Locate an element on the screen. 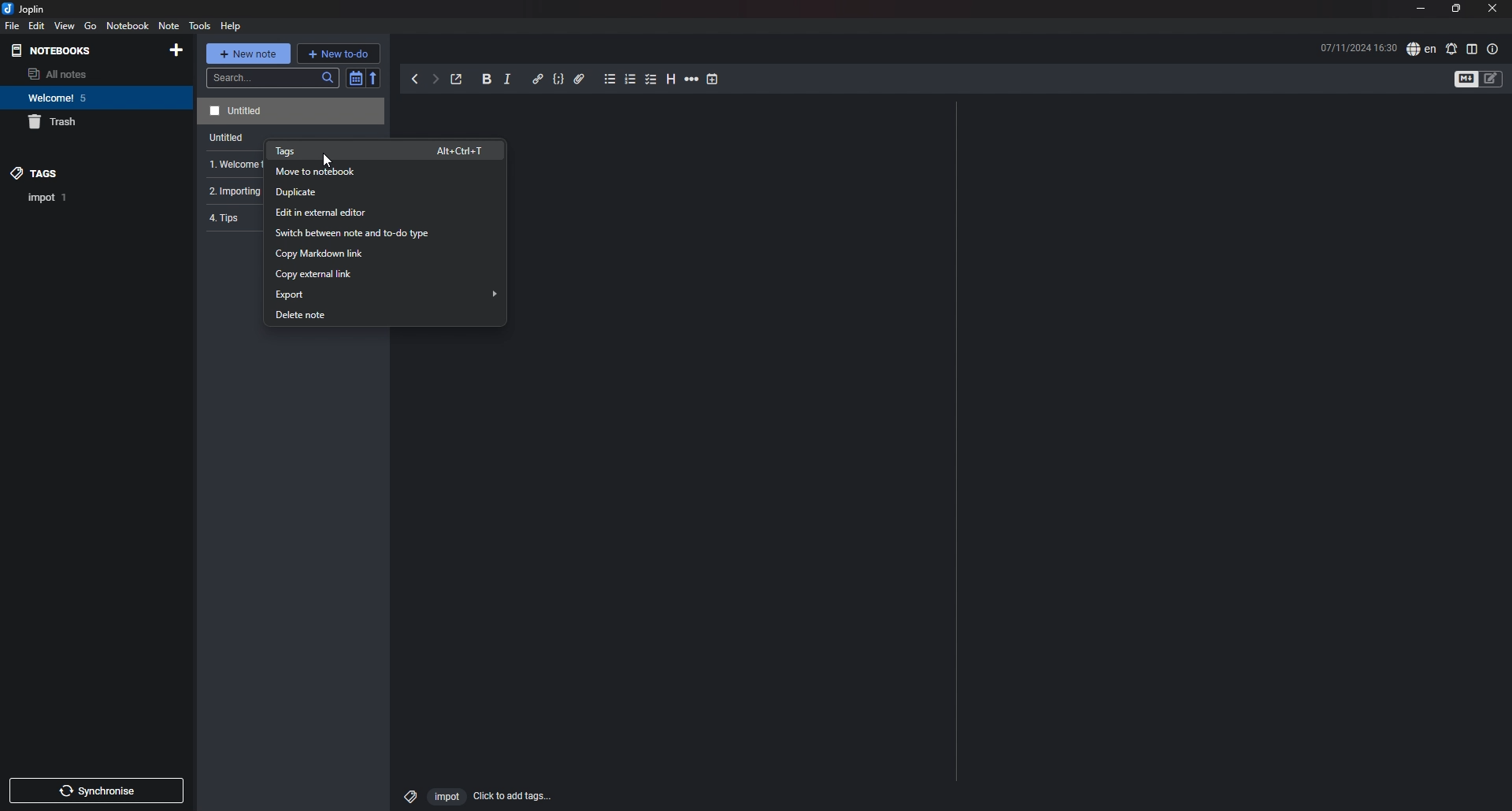 This screenshot has width=1512, height=811. horizontal rule is located at coordinates (691, 80).